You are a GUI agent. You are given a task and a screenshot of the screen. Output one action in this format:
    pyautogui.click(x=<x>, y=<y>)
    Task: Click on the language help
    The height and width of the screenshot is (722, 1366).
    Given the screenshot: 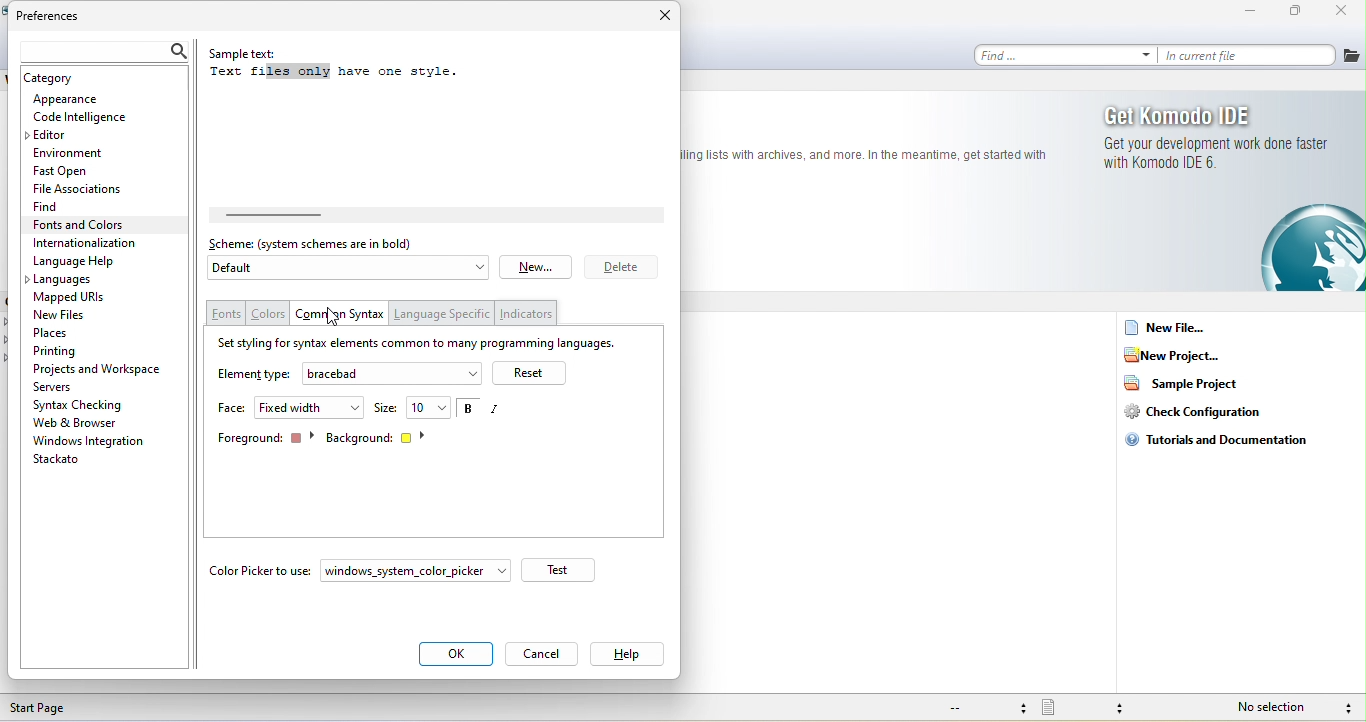 What is the action you would take?
    pyautogui.click(x=87, y=260)
    